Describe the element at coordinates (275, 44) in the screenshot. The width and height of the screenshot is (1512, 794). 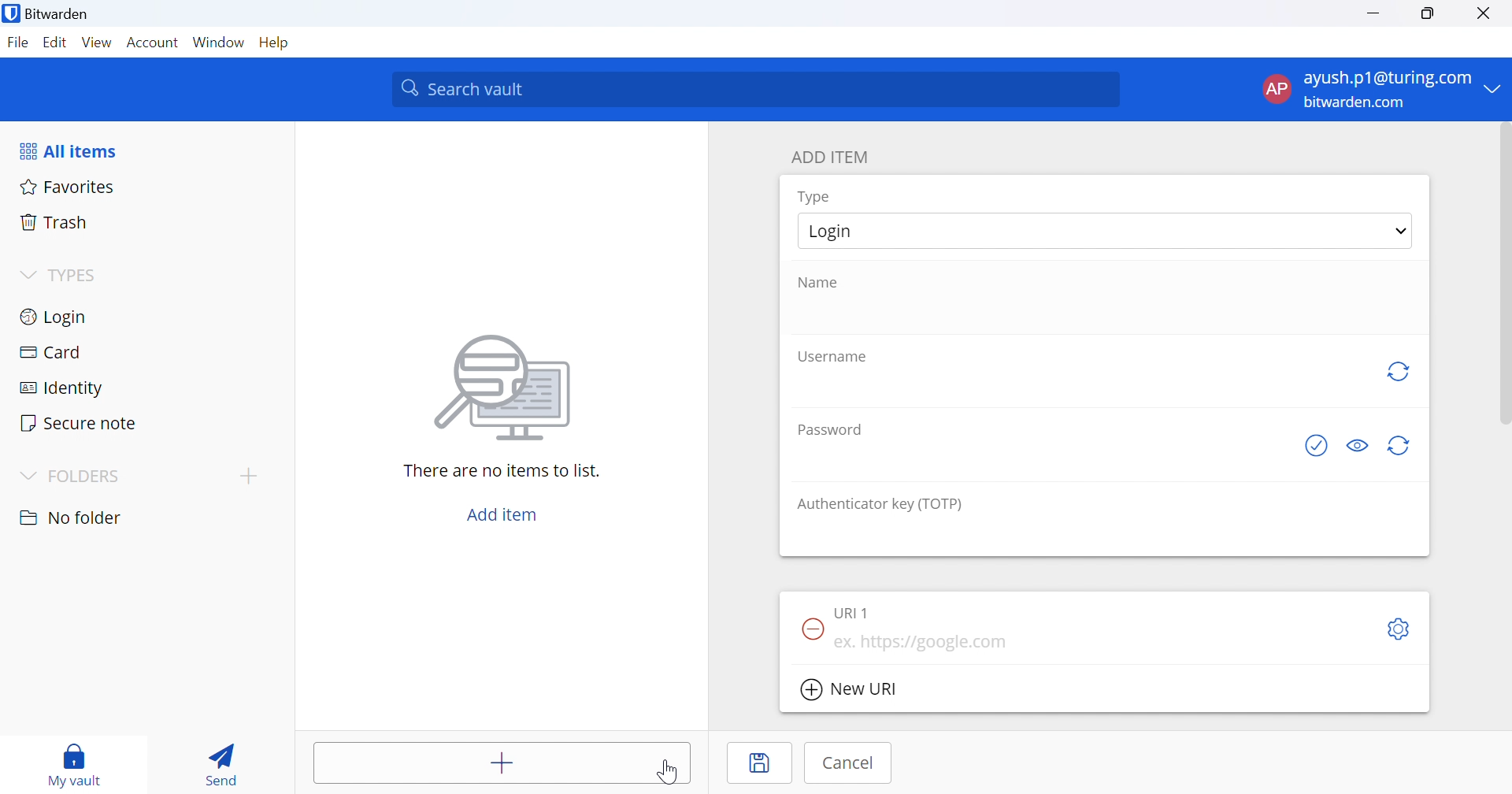
I see `Help` at that location.